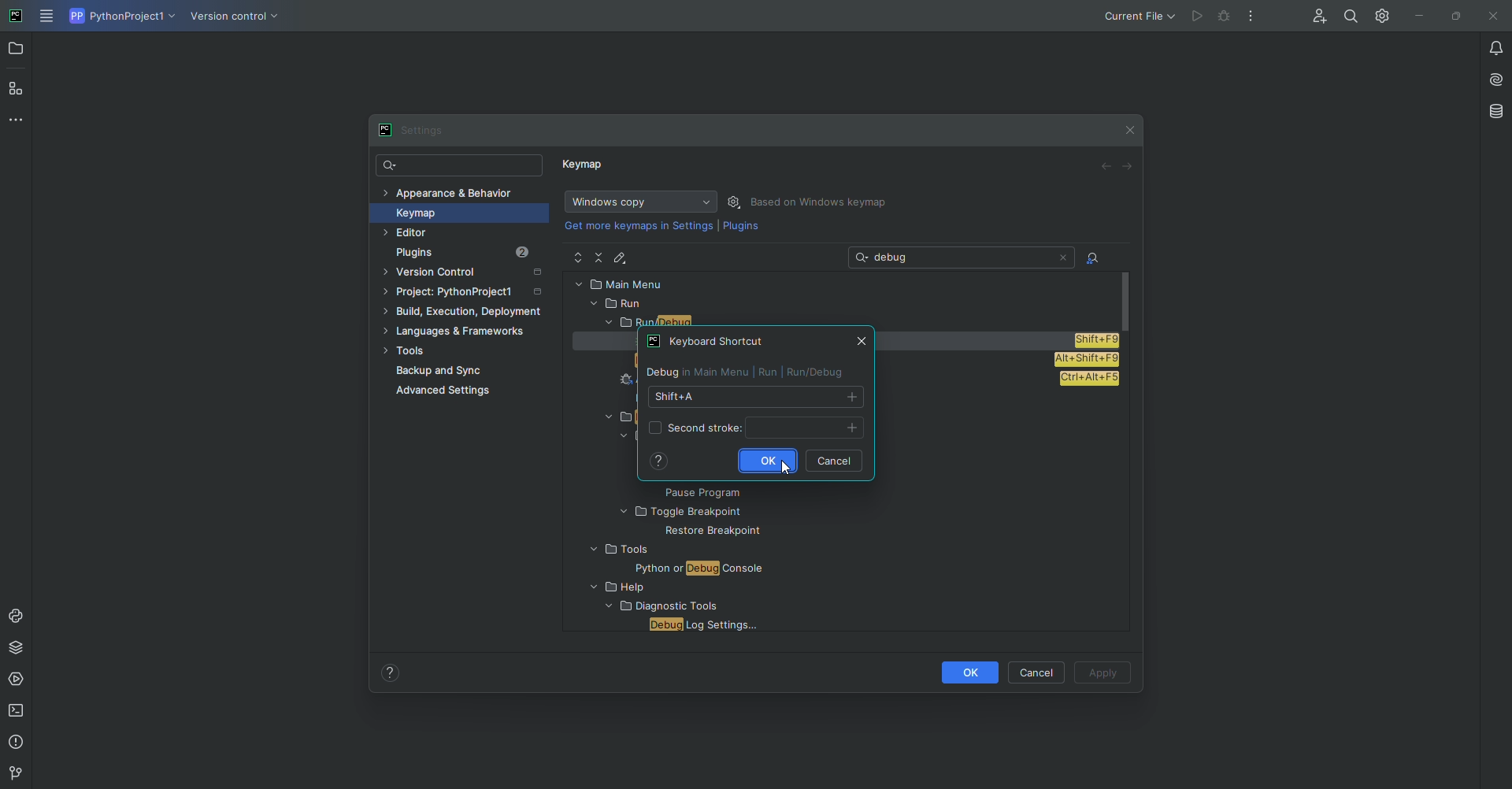  What do you see at coordinates (1316, 17) in the screenshot?
I see `Code with me` at bounding box center [1316, 17].